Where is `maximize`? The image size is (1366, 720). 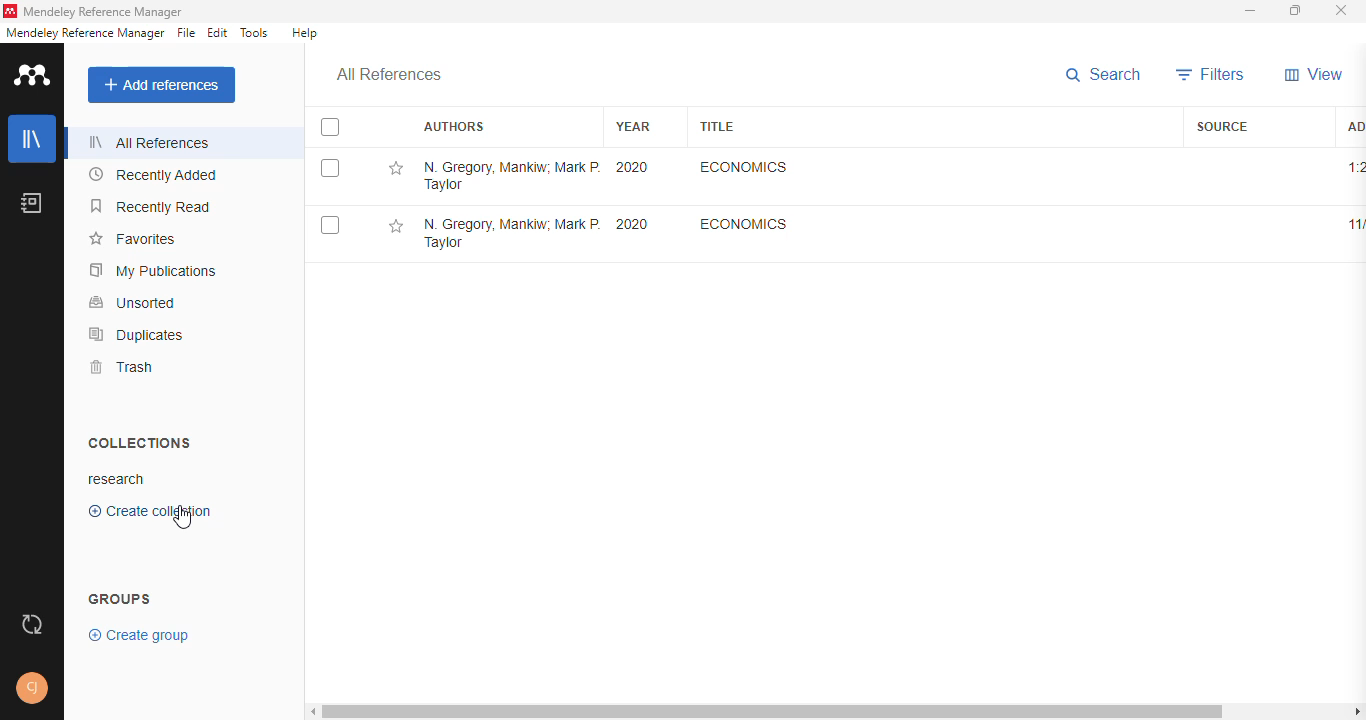
maximize is located at coordinates (1298, 11).